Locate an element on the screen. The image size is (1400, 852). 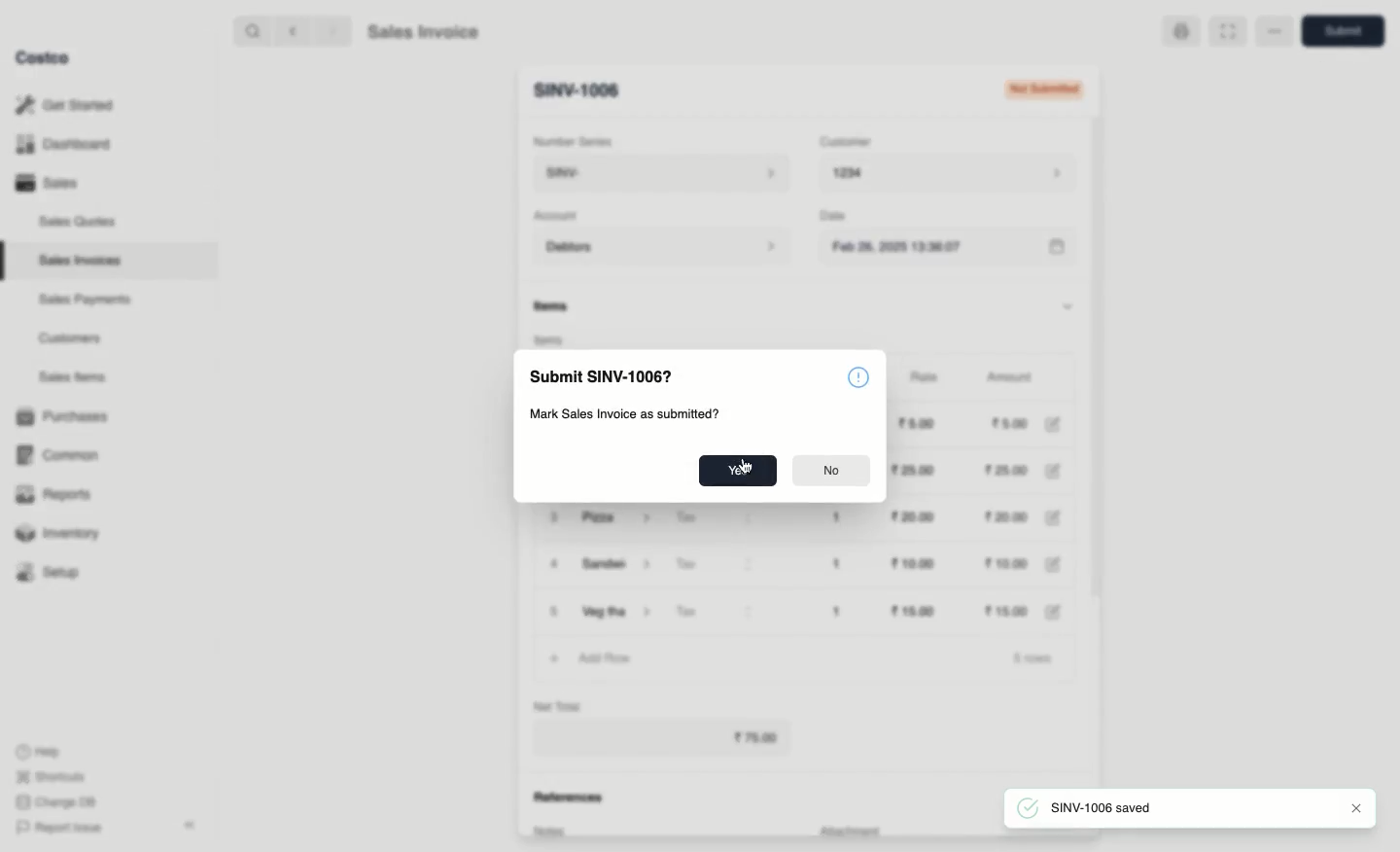
Sales Payments. is located at coordinates (87, 302).